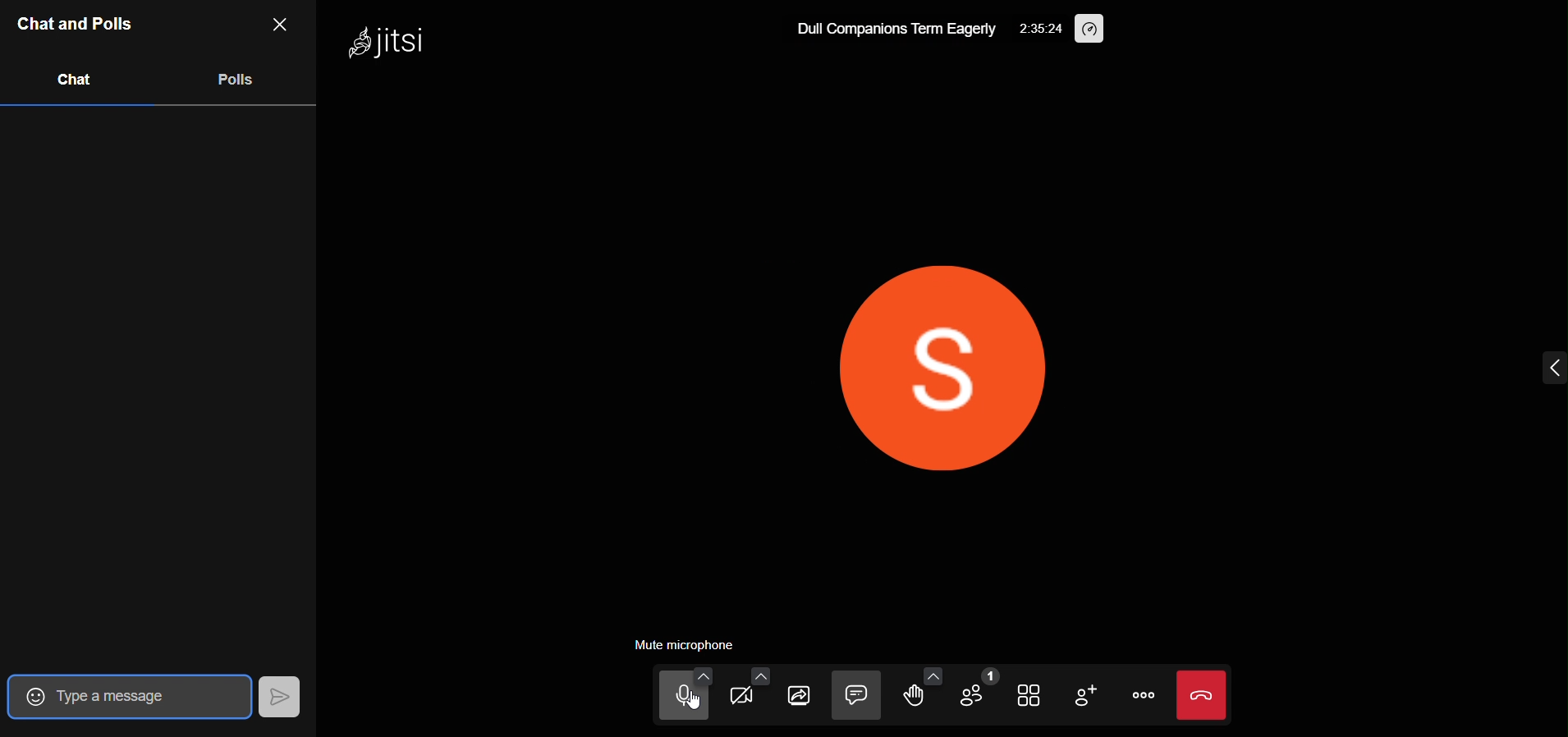 The height and width of the screenshot is (737, 1568). Describe the element at coordinates (240, 83) in the screenshot. I see `polls tab` at that location.